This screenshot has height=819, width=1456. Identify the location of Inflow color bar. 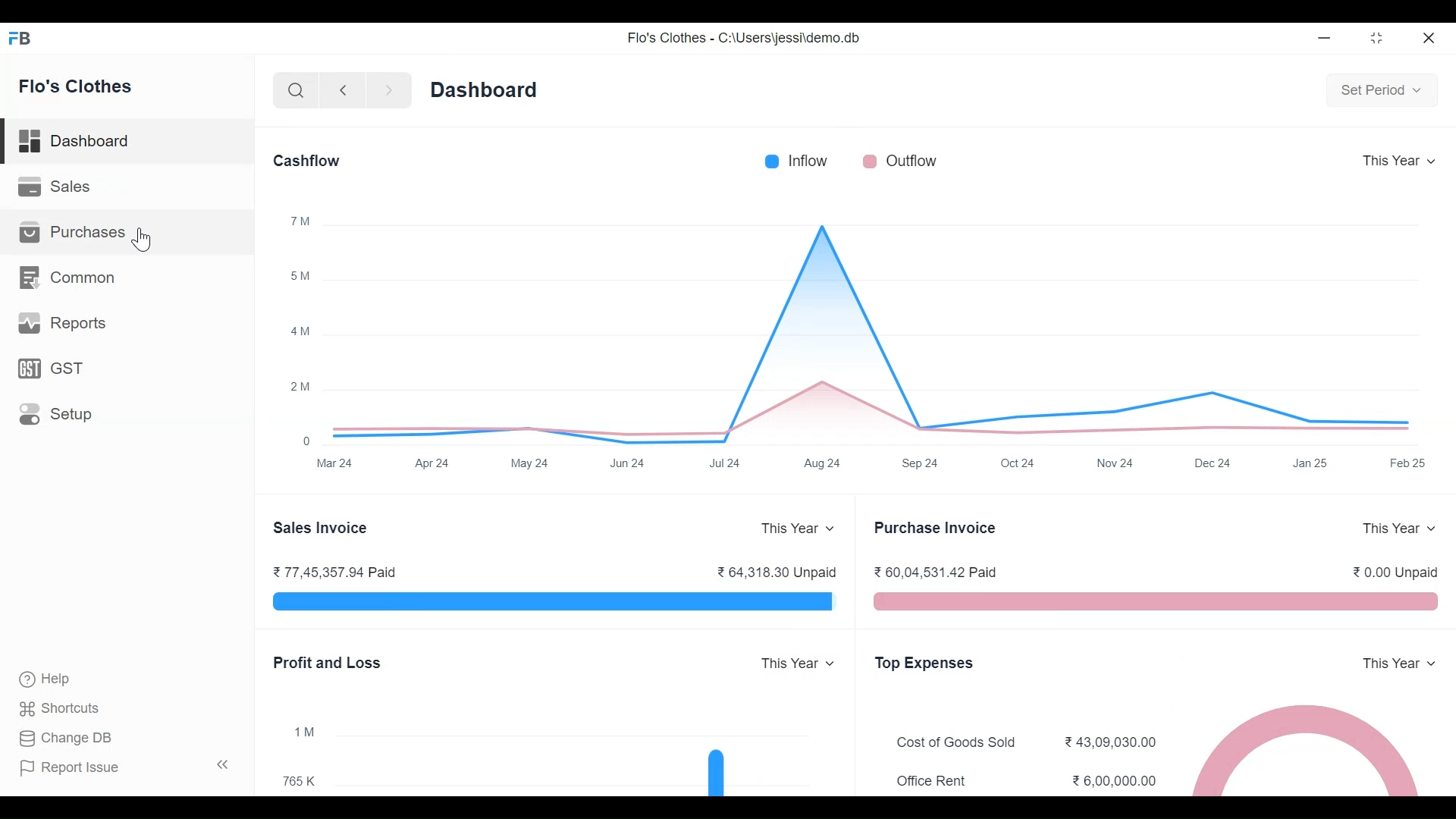
(771, 162).